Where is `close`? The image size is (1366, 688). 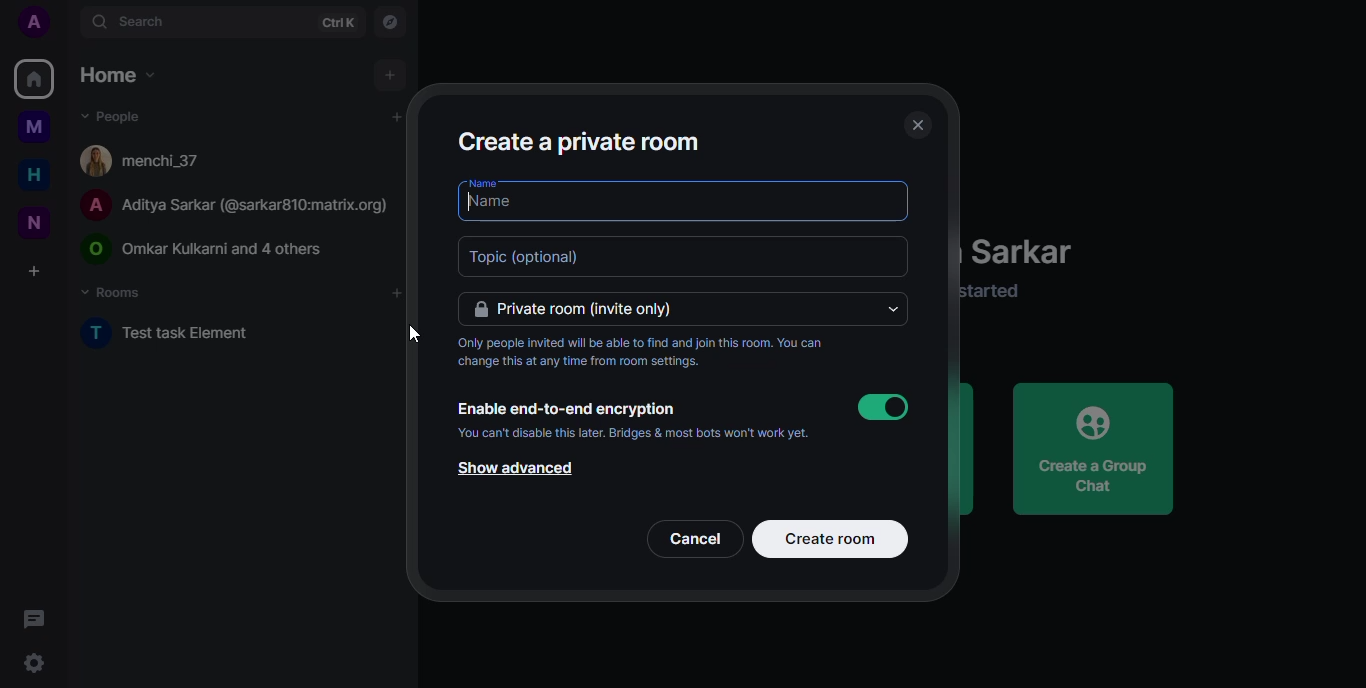
close is located at coordinates (914, 125).